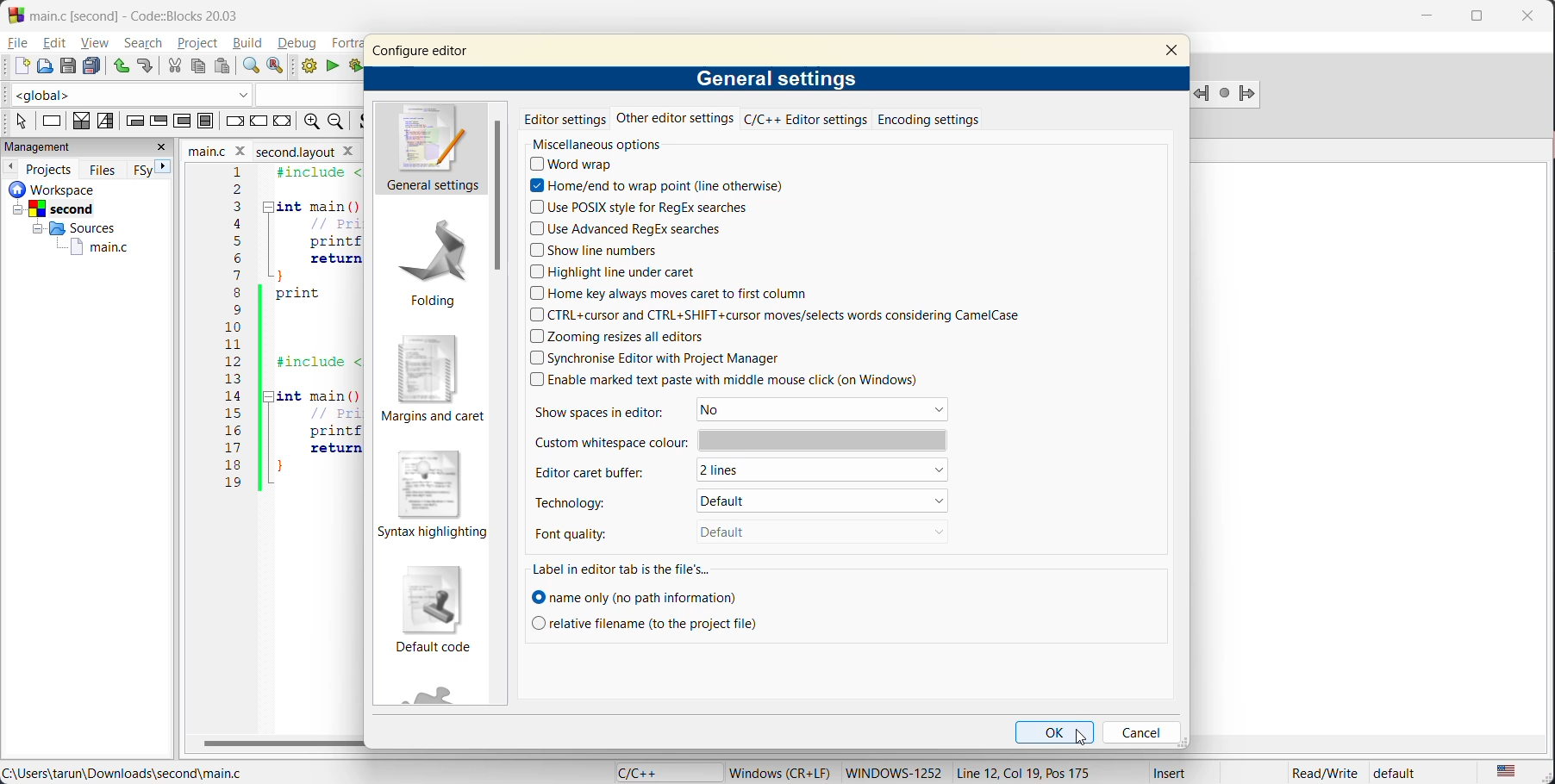 This screenshot has height=784, width=1555. I want to click on margins and caret, so click(433, 377).